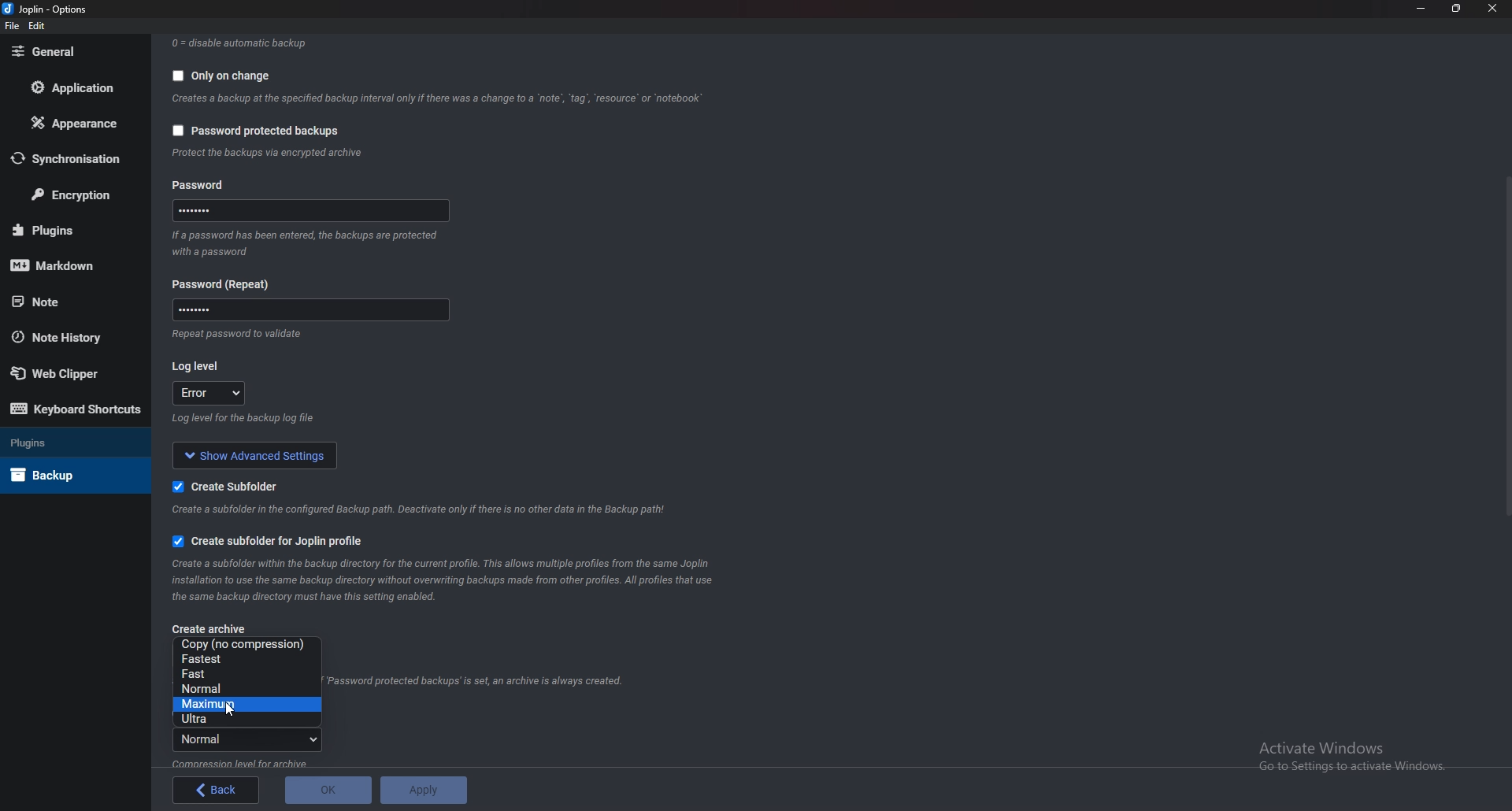  I want to click on Normal, so click(237, 689).